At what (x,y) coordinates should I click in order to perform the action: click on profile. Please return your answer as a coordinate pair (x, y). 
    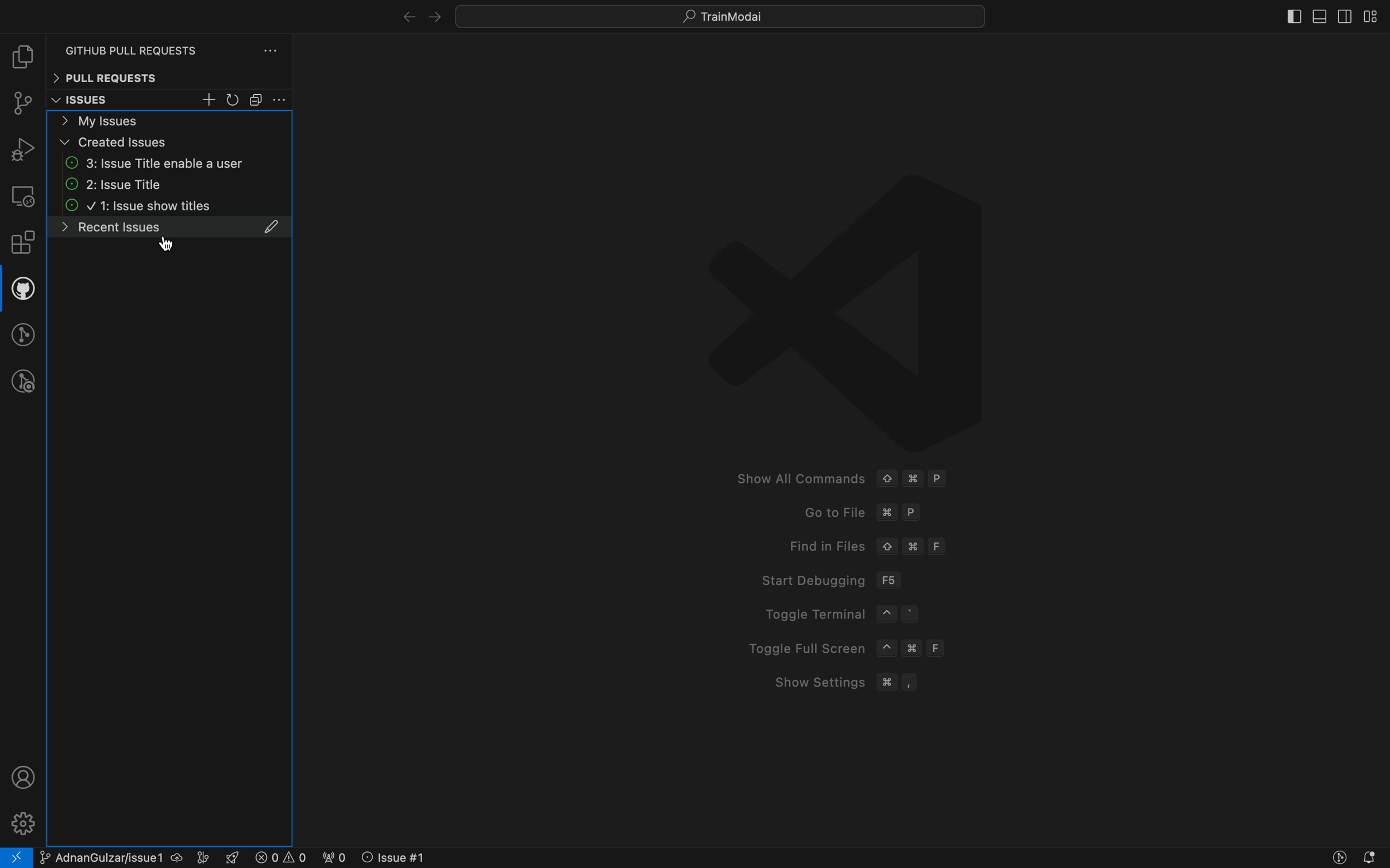
    Looking at the image, I should click on (20, 777).